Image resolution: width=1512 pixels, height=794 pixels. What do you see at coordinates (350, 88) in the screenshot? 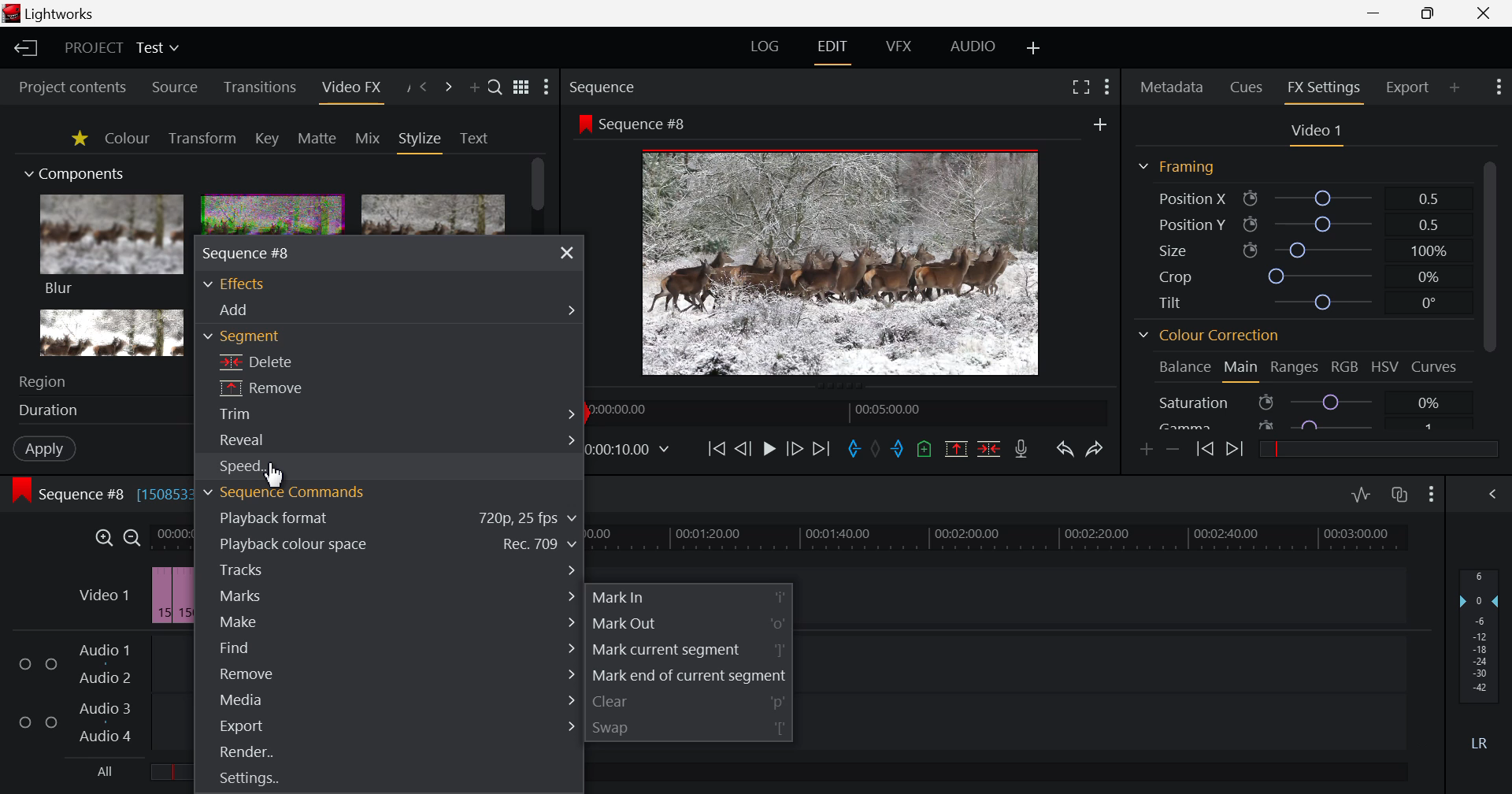
I see `Video FX` at bounding box center [350, 88].